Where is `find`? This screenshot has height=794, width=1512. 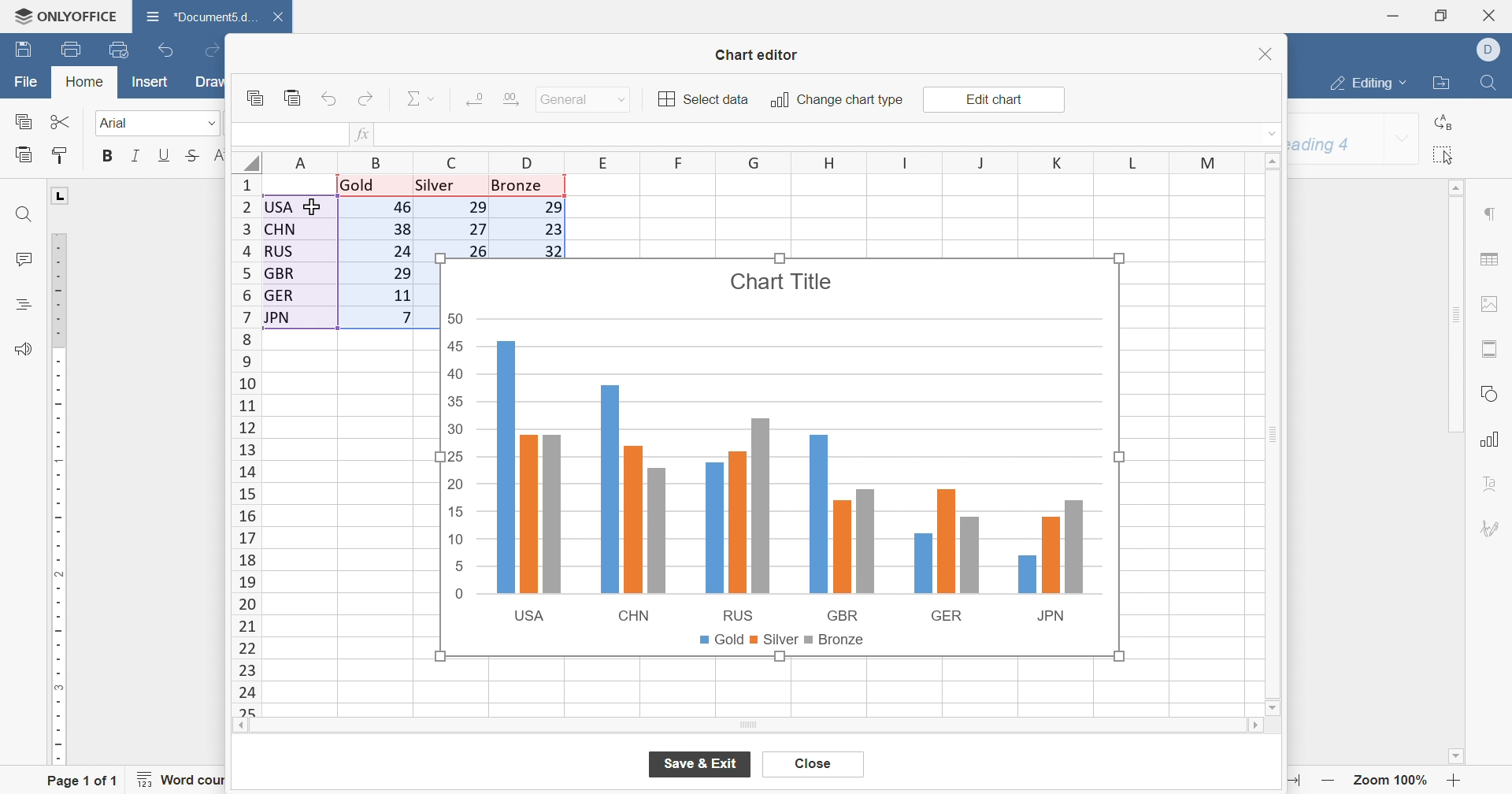
find is located at coordinates (24, 213).